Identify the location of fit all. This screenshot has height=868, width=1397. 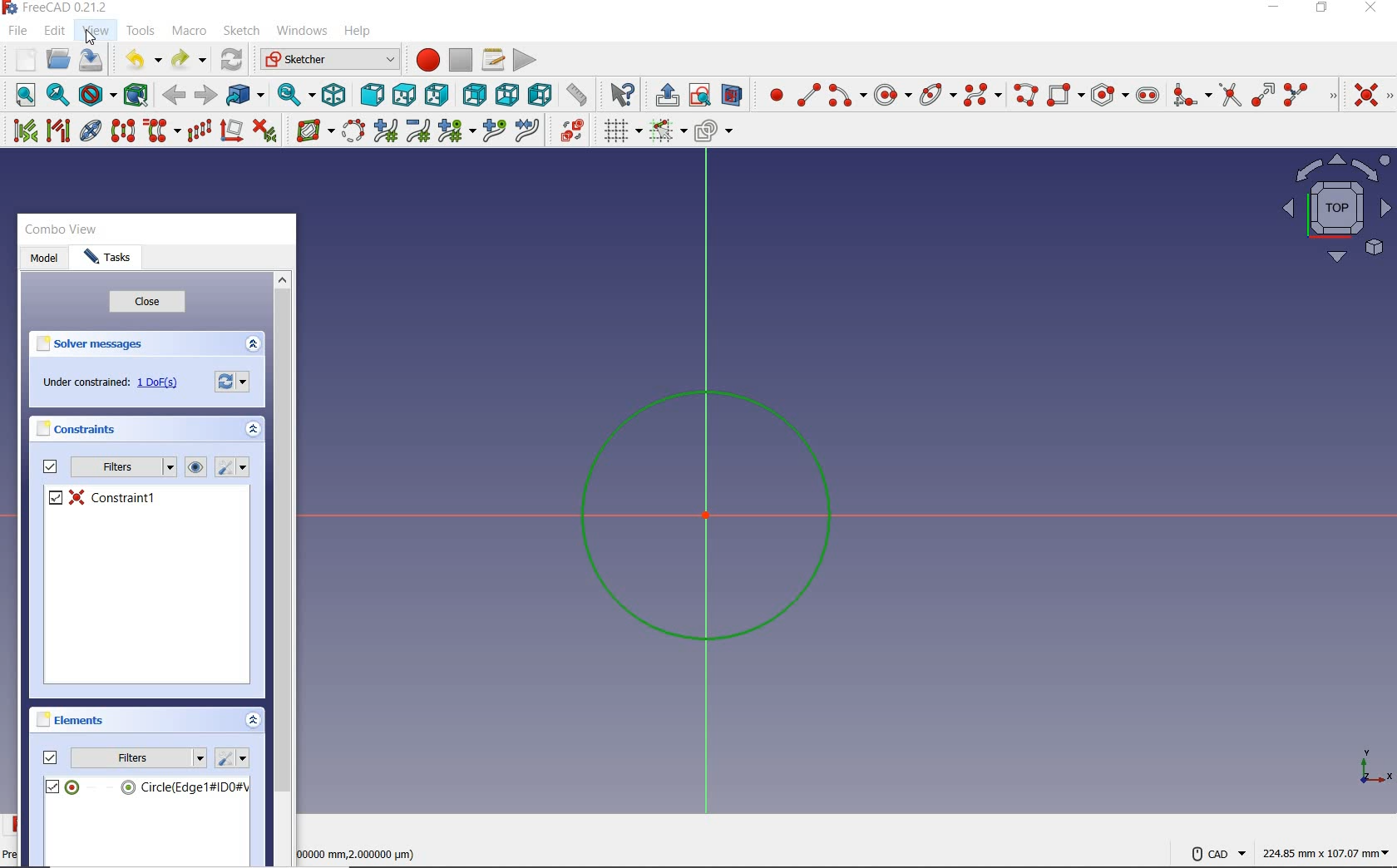
(22, 95).